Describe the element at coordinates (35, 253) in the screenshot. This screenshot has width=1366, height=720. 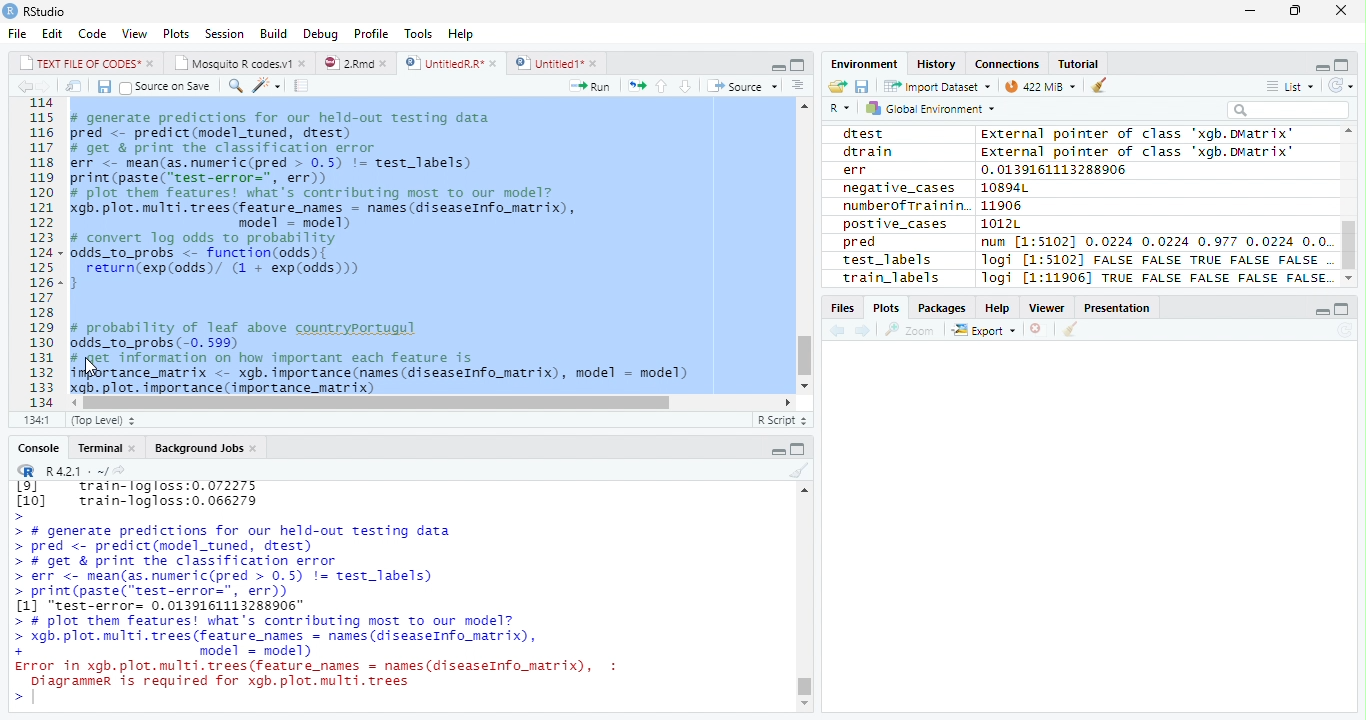
I see `Row Number` at that location.